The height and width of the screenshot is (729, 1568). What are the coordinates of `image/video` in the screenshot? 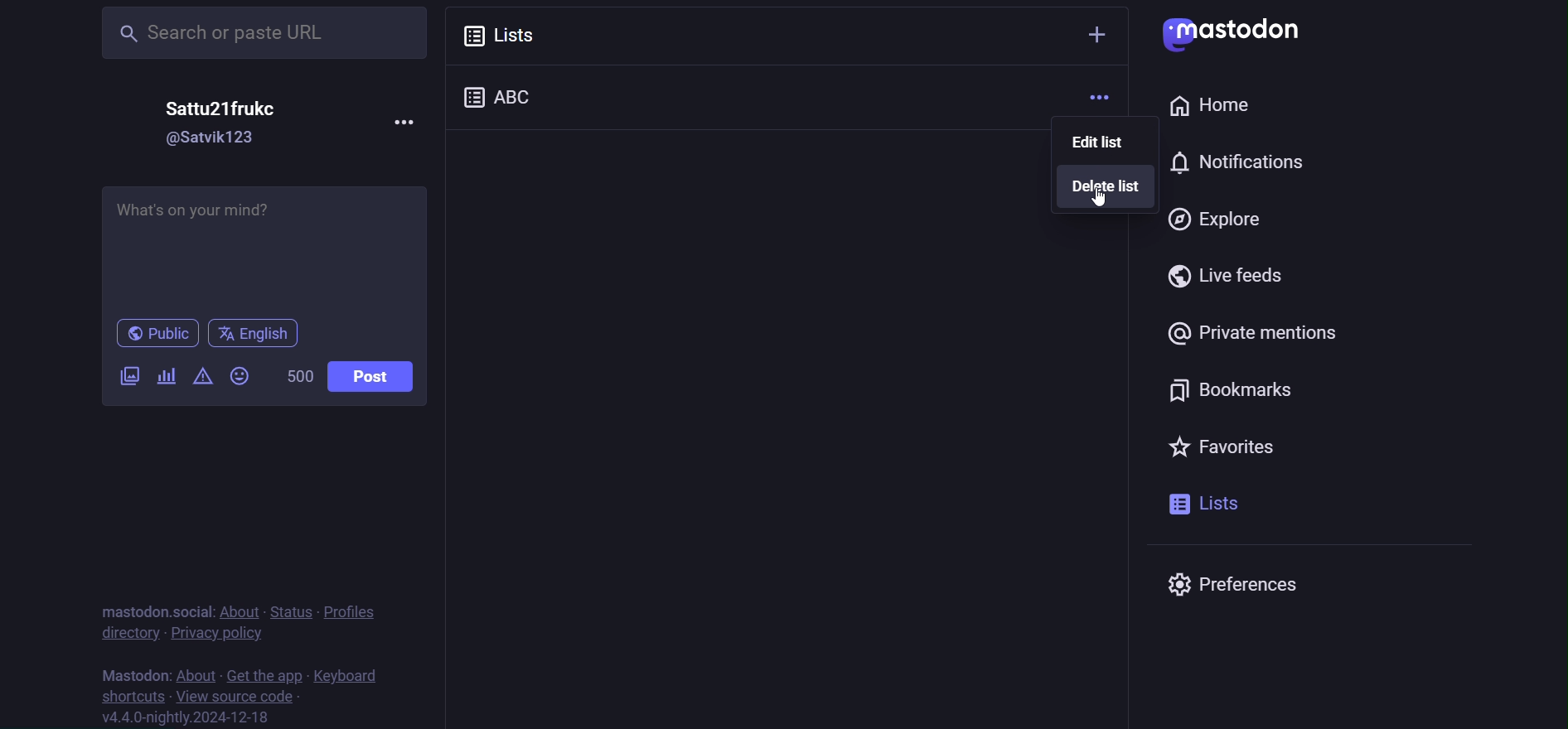 It's located at (128, 374).